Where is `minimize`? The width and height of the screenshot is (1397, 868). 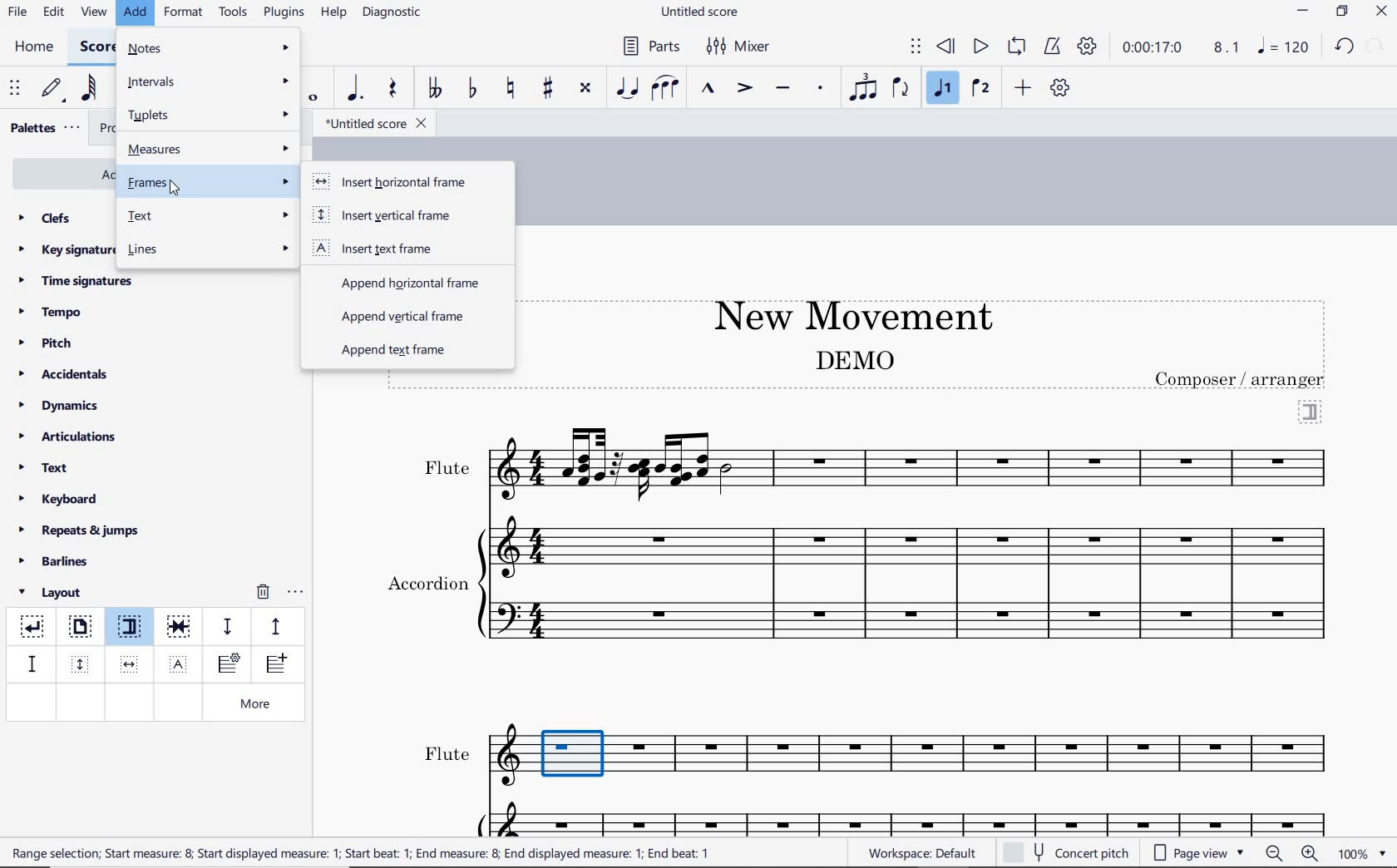
minimize is located at coordinates (1303, 12).